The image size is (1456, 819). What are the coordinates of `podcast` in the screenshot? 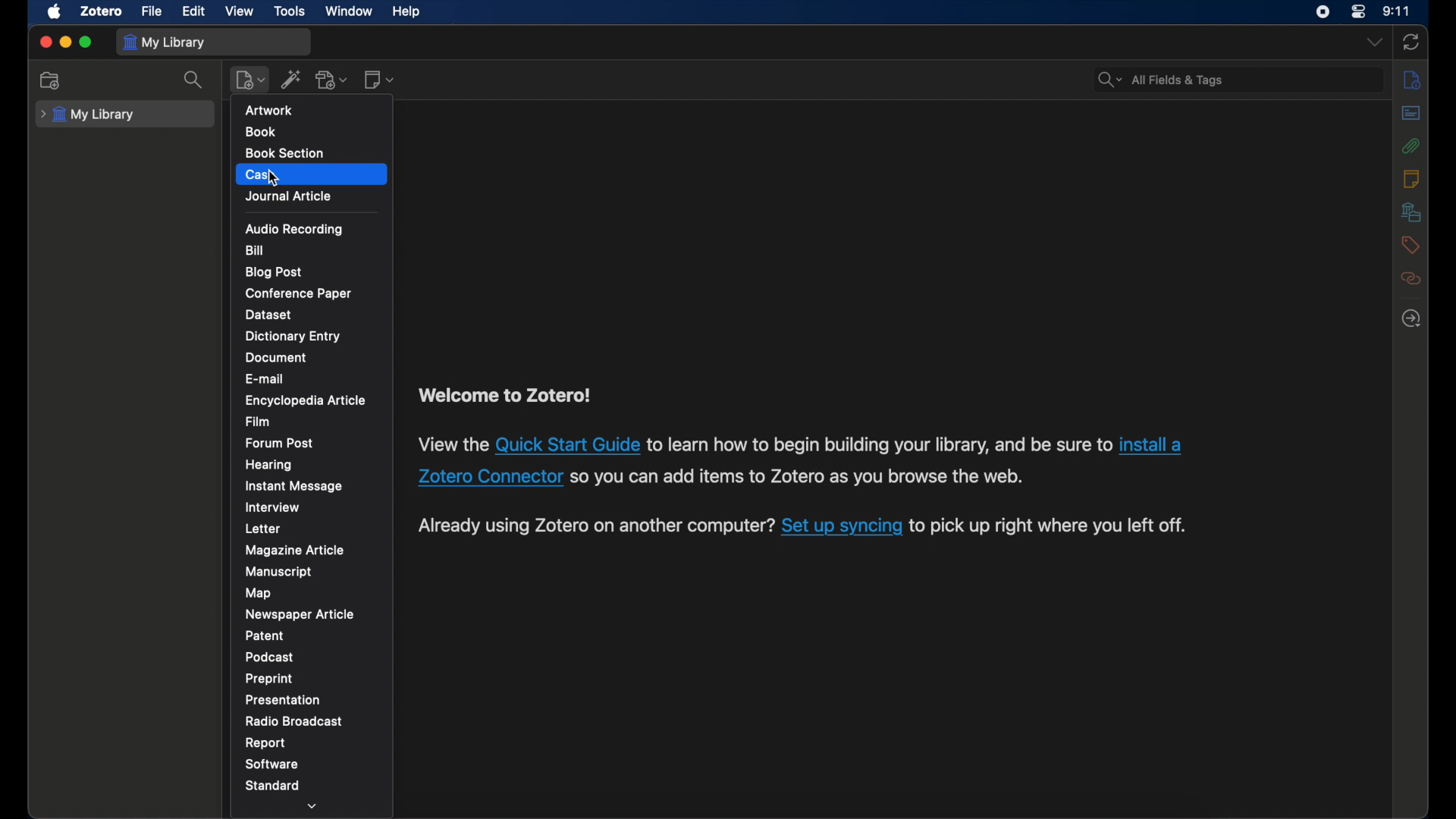 It's located at (270, 657).